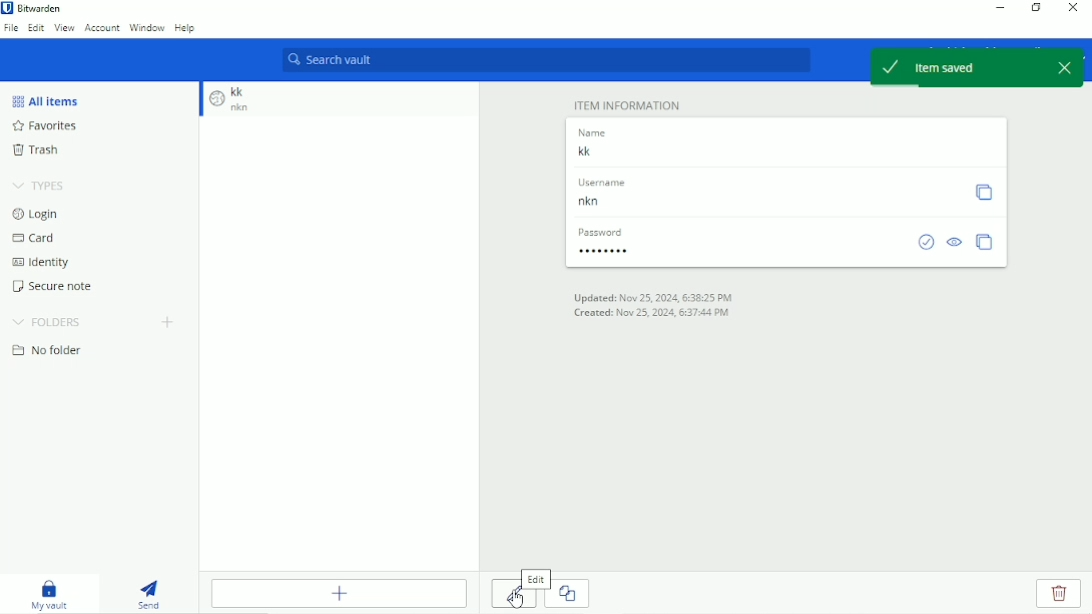 Image resolution: width=1092 pixels, height=614 pixels. What do you see at coordinates (596, 153) in the screenshot?
I see `entry Name` at bounding box center [596, 153].